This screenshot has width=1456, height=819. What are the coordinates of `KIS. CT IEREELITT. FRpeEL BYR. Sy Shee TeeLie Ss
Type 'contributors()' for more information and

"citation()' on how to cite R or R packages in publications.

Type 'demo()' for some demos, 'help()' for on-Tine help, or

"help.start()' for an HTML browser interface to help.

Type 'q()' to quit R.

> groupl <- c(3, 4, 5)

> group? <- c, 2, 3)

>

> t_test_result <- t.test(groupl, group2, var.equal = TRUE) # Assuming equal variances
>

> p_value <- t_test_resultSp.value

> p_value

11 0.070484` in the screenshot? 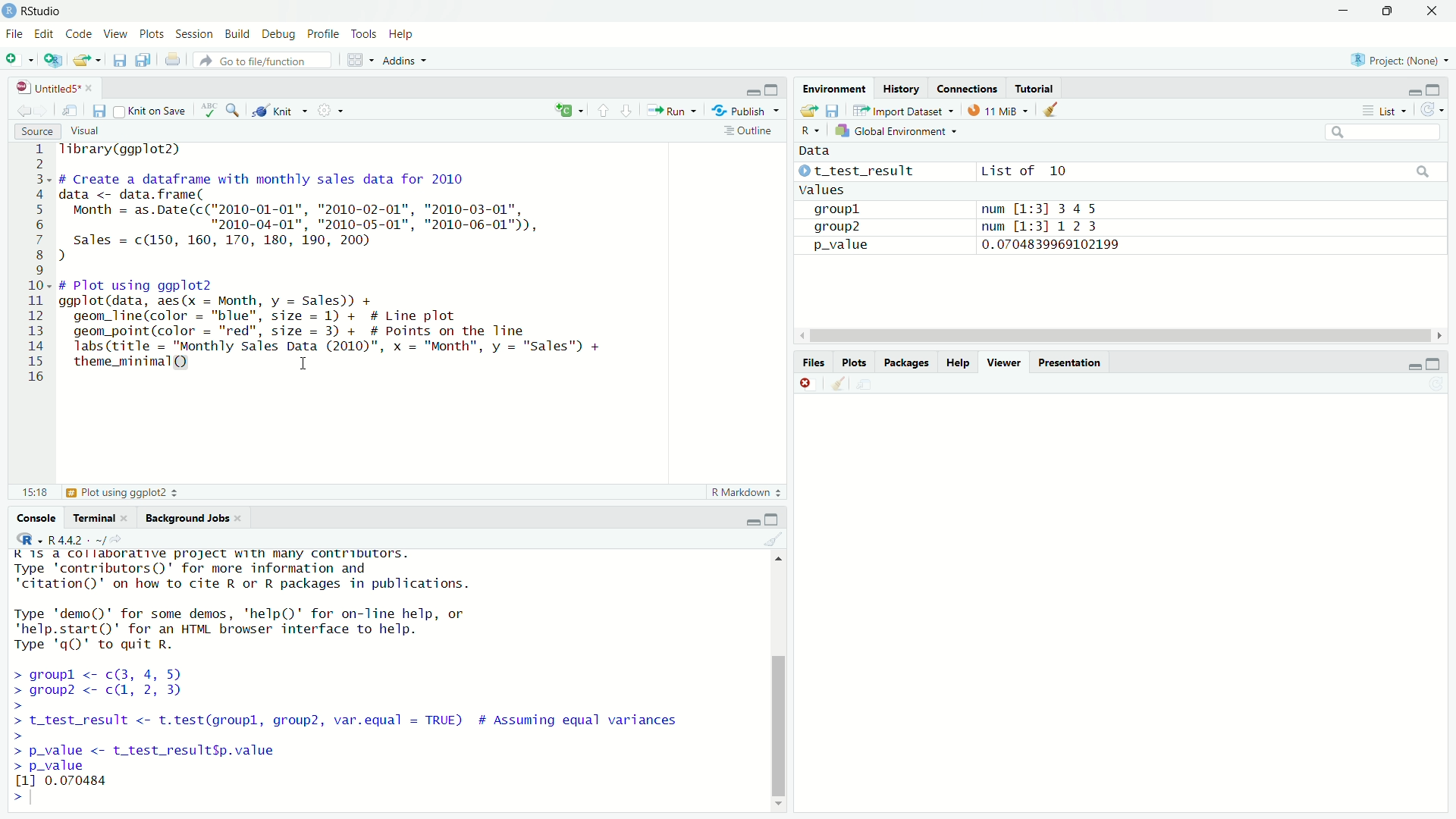 It's located at (355, 668).